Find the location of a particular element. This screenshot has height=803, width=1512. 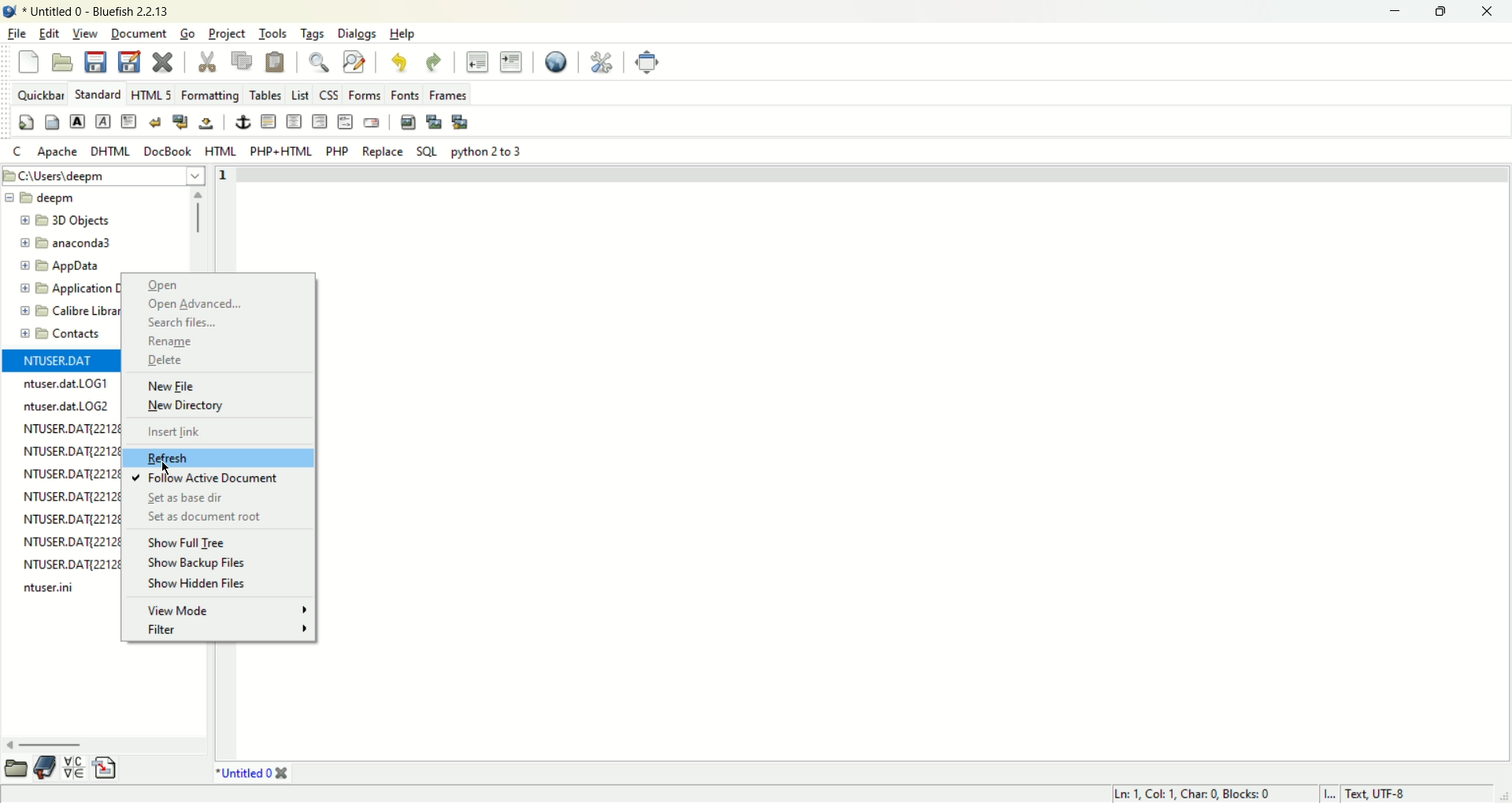

show backup files is located at coordinates (194, 564).